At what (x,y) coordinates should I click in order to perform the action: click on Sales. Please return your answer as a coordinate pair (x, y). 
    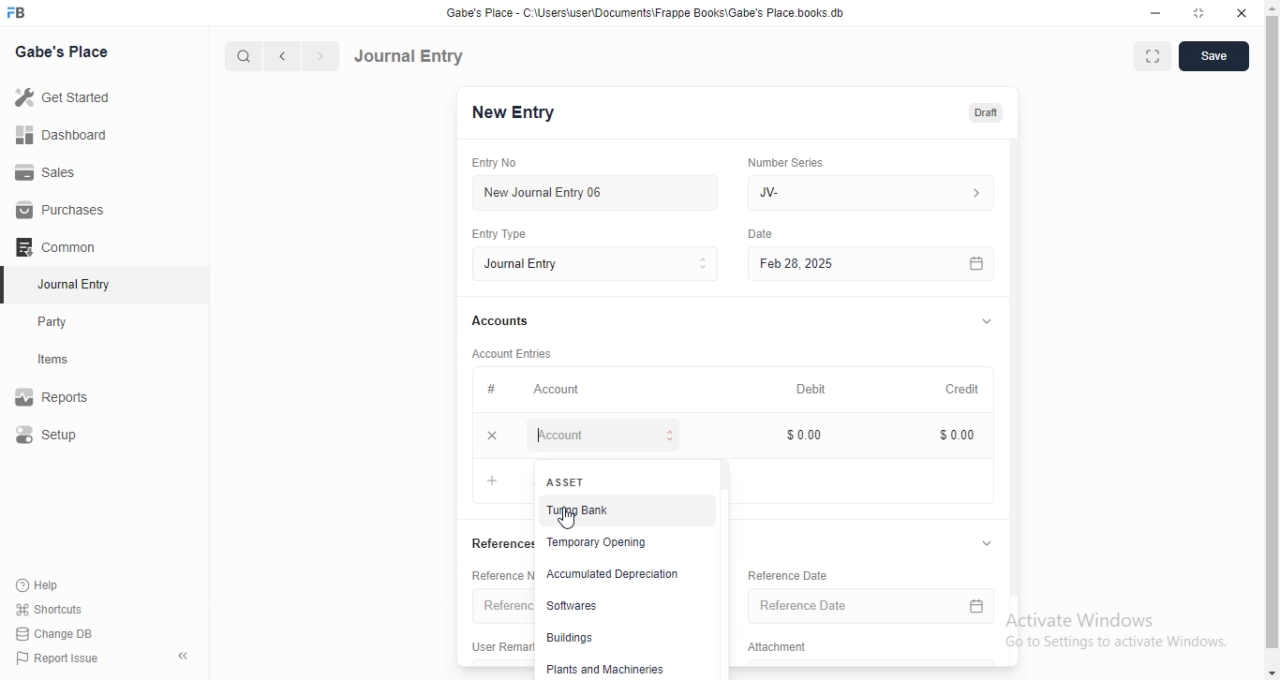
    Looking at the image, I should click on (64, 171).